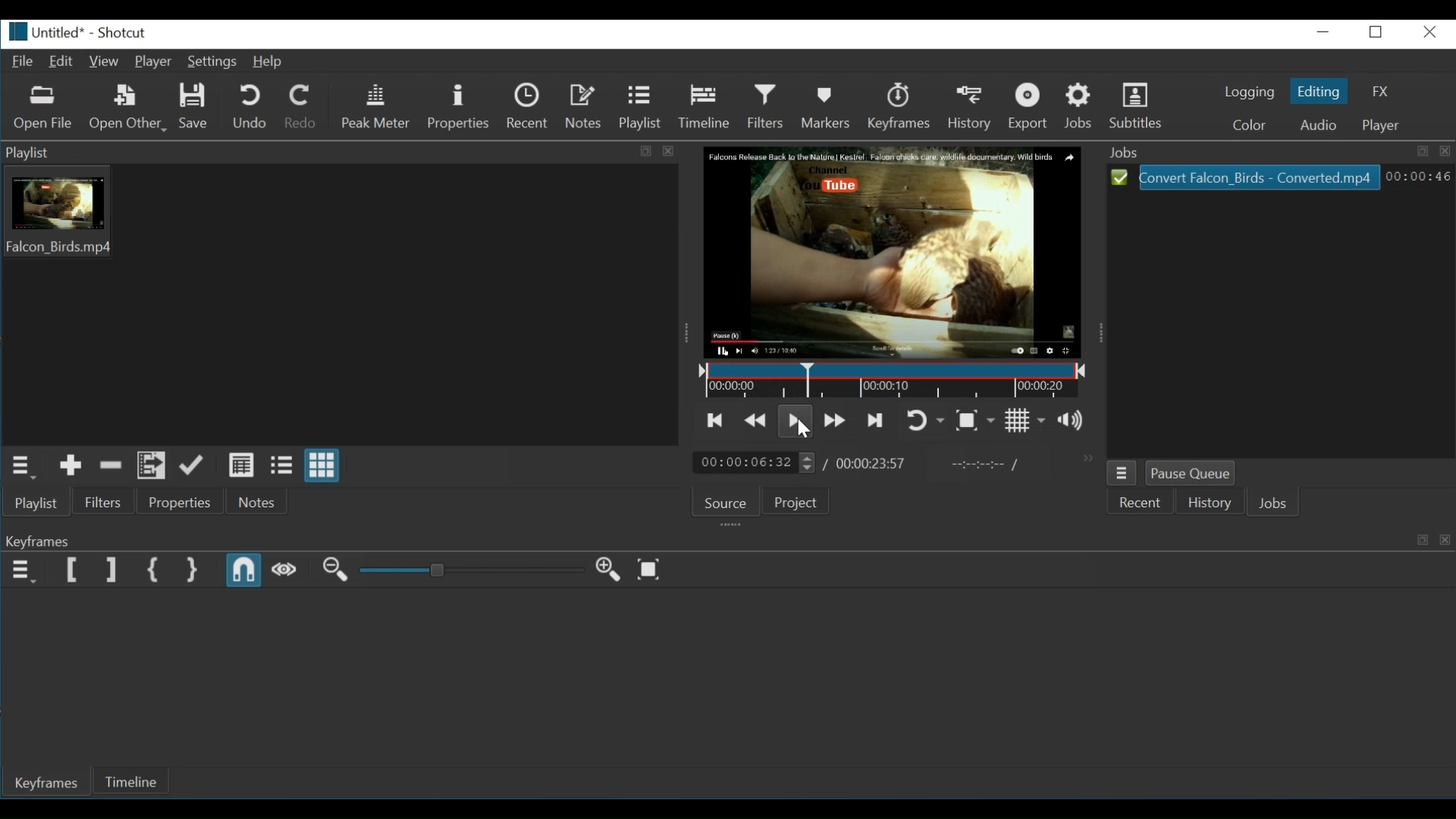 This screenshot has width=1456, height=819. What do you see at coordinates (1137, 105) in the screenshot?
I see `Subtitles` at bounding box center [1137, 105].